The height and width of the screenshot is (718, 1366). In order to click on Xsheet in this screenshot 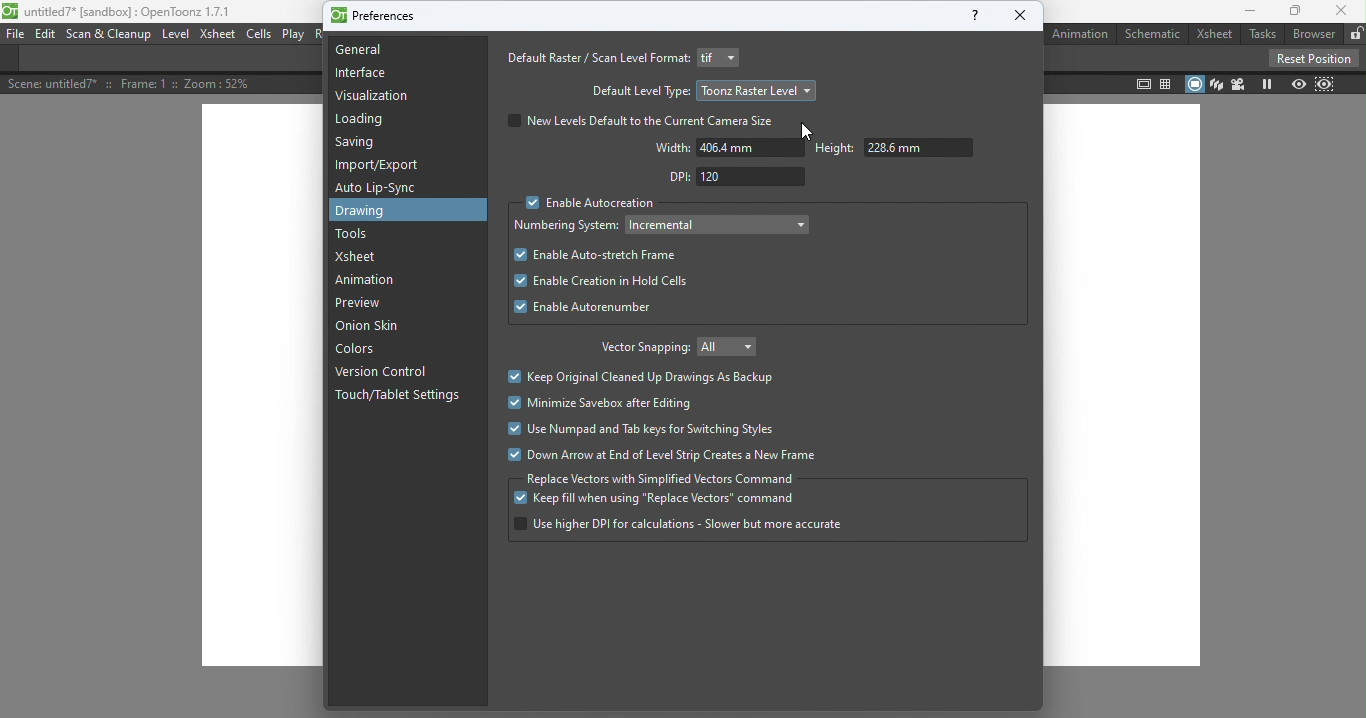, I will do `click(1214, 35)`.